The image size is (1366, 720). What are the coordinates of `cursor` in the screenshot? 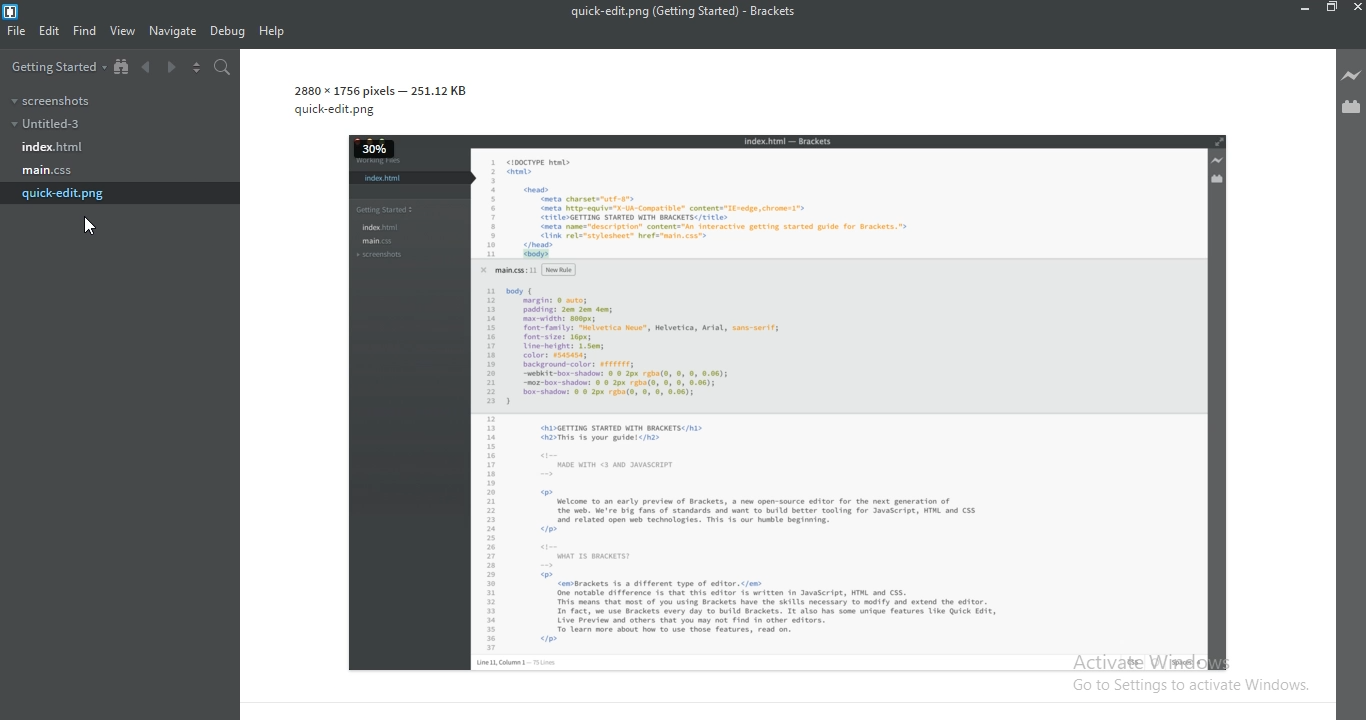 It's located at (94, 227).